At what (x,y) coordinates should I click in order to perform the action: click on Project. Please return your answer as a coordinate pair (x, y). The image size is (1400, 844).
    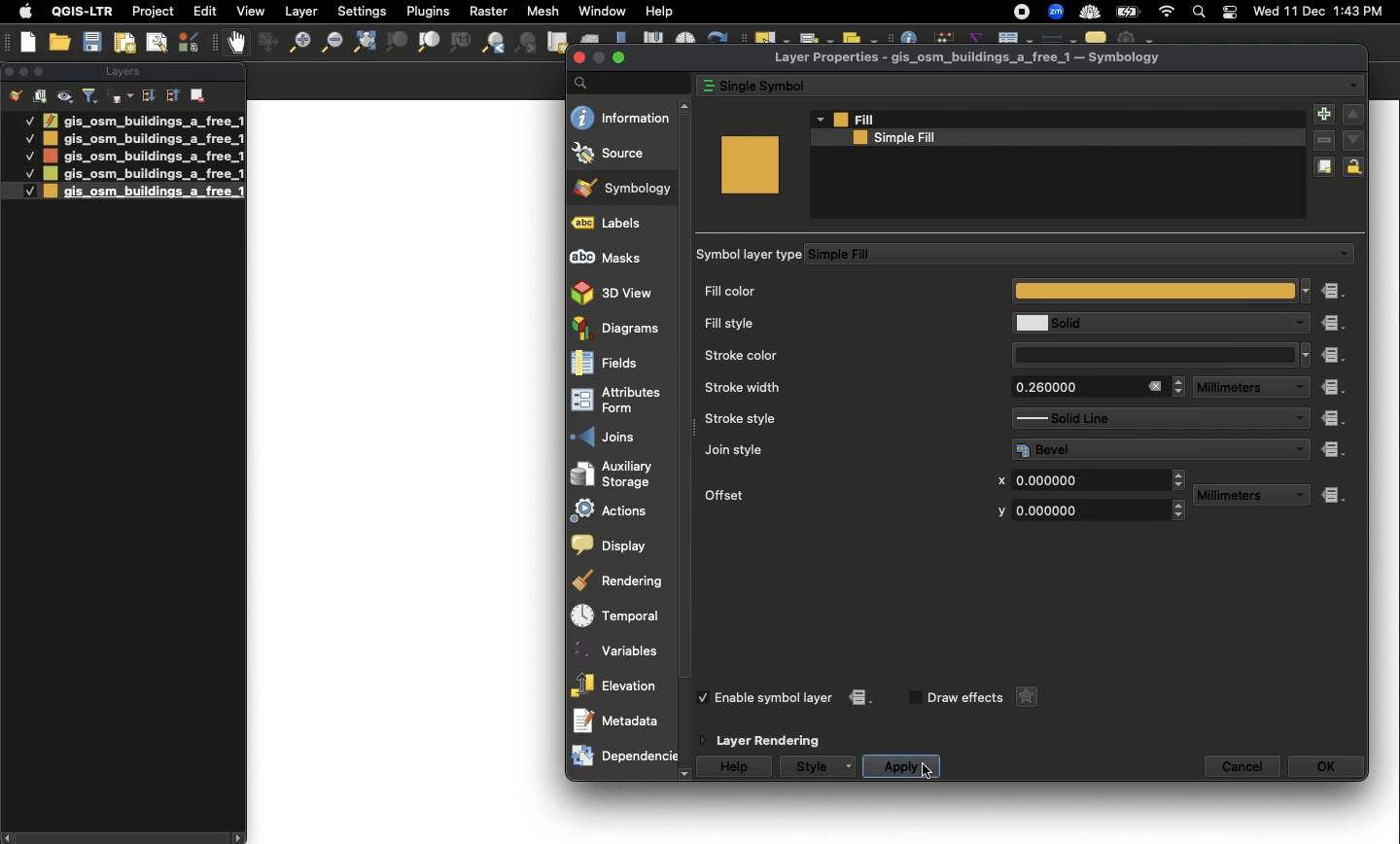
    Looking at the image, I should click on (153, 13).